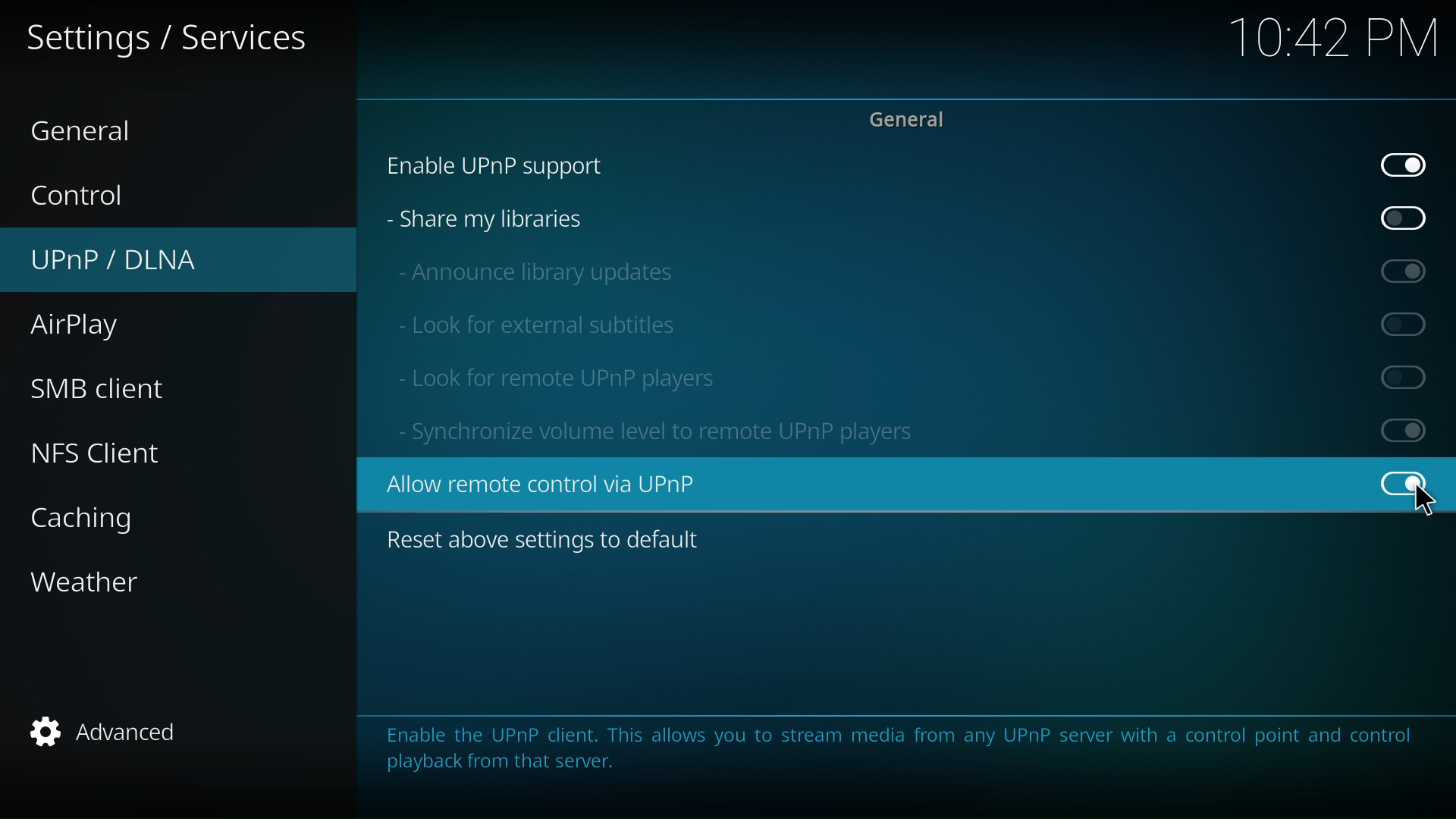 The image size is (1456, 819). I want to click on nfs client, so click(109, 456).